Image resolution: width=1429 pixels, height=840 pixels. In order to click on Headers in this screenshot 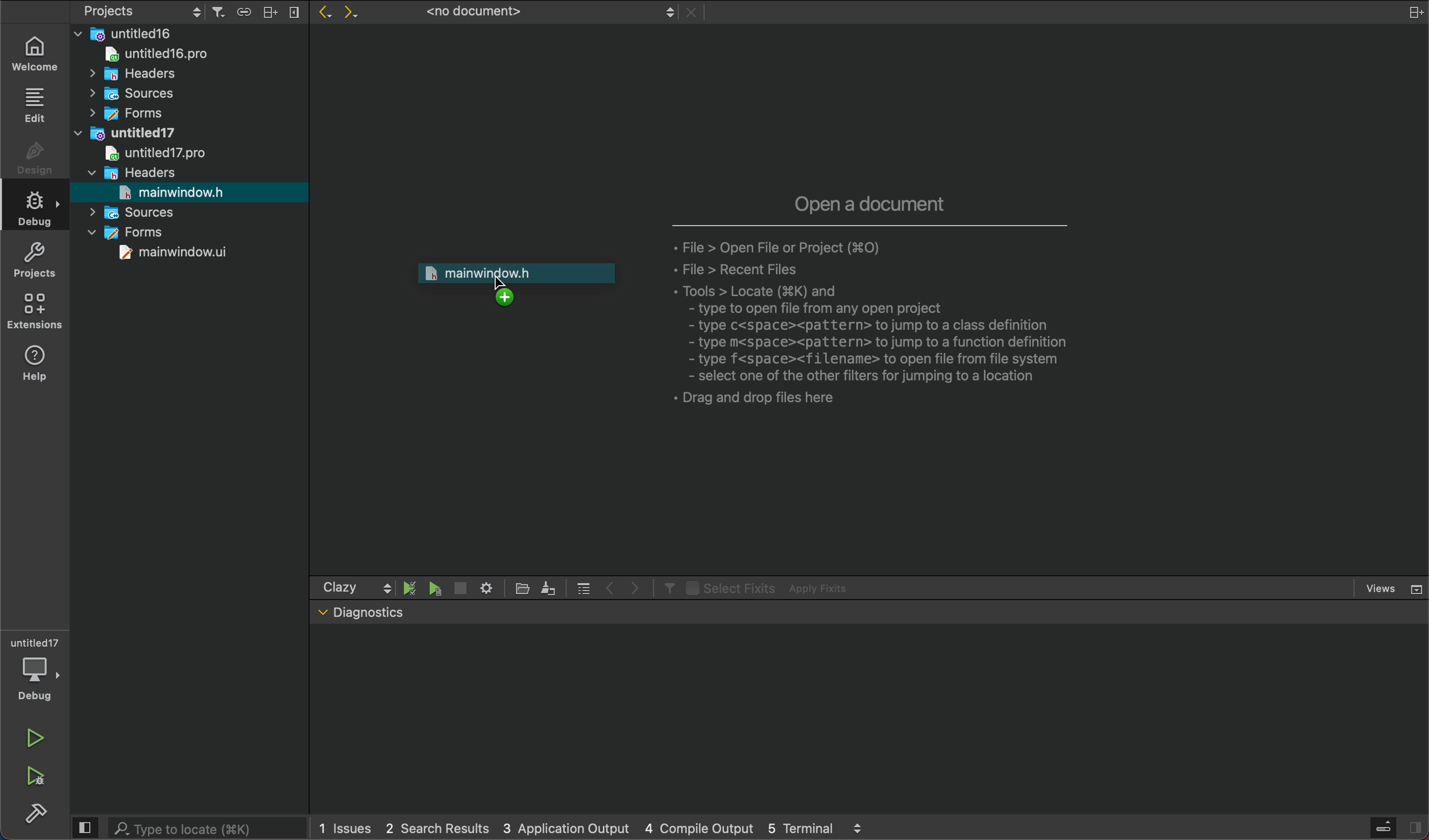, I will do `click(124, 72)`.